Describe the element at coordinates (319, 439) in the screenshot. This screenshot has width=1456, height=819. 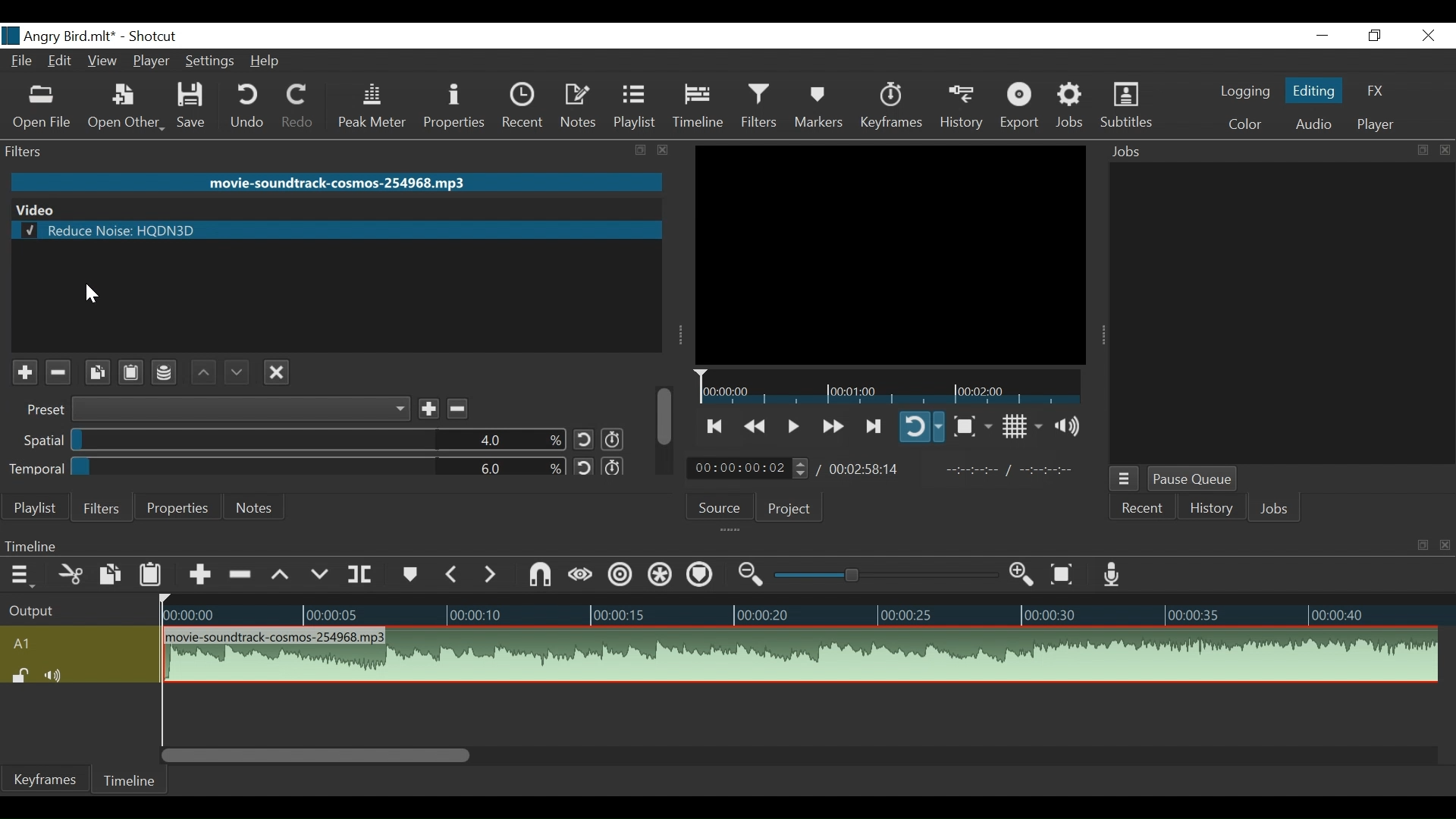
I see `Adjust Spatial percentage` at that location.